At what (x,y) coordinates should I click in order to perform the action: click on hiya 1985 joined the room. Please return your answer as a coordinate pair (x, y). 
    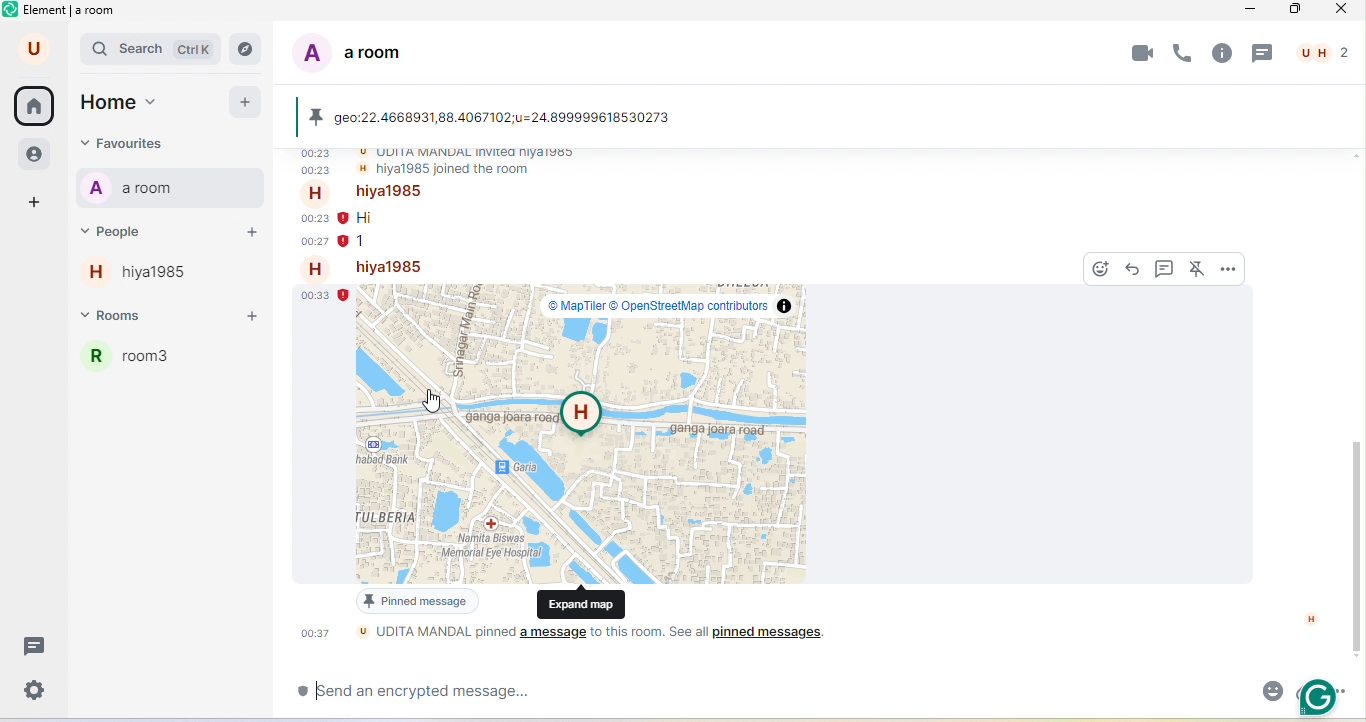
    Looking at the image, I should click on (489, 170).